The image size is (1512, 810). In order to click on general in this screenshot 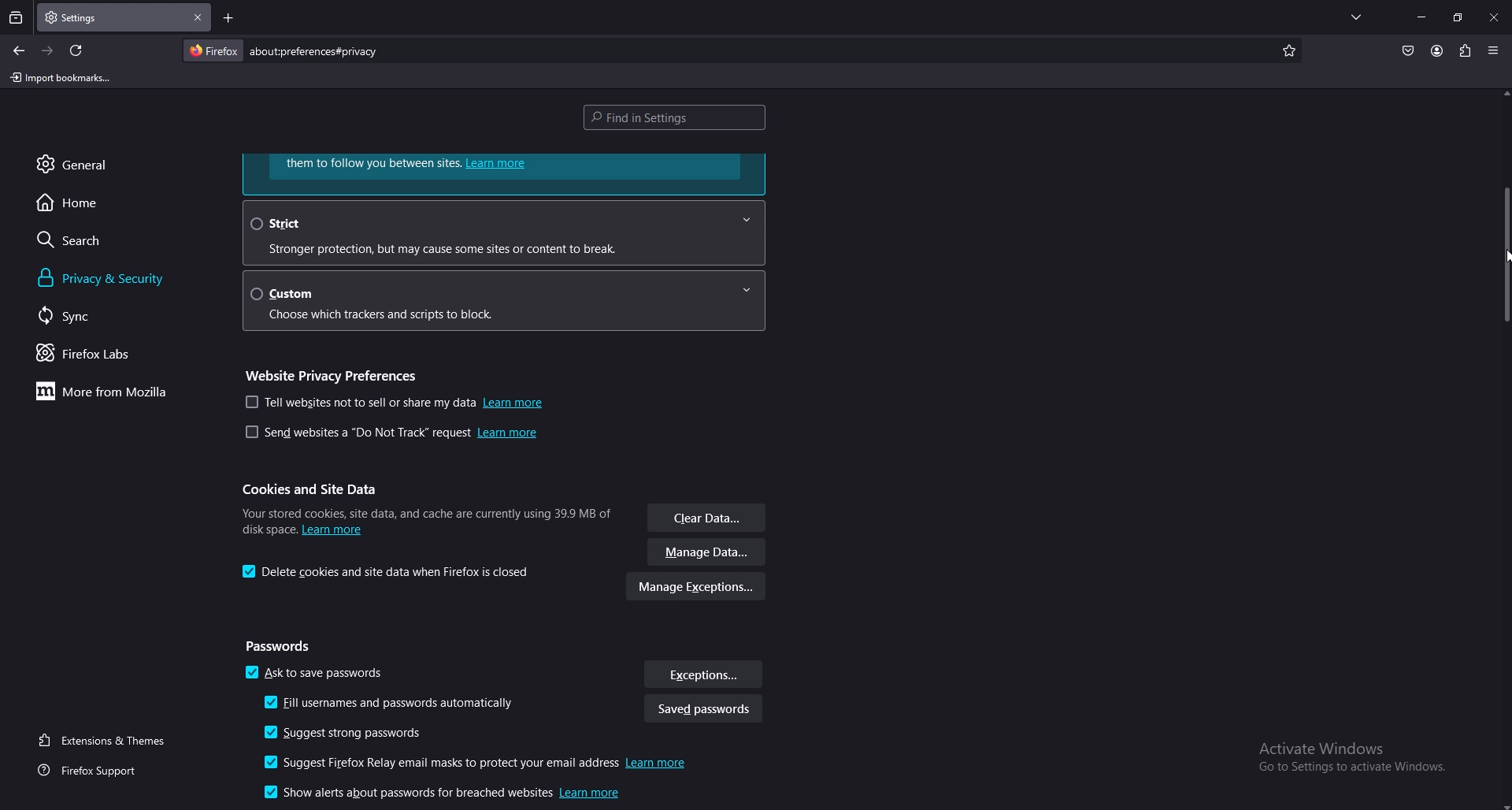, I will do `click(91, 164)`.